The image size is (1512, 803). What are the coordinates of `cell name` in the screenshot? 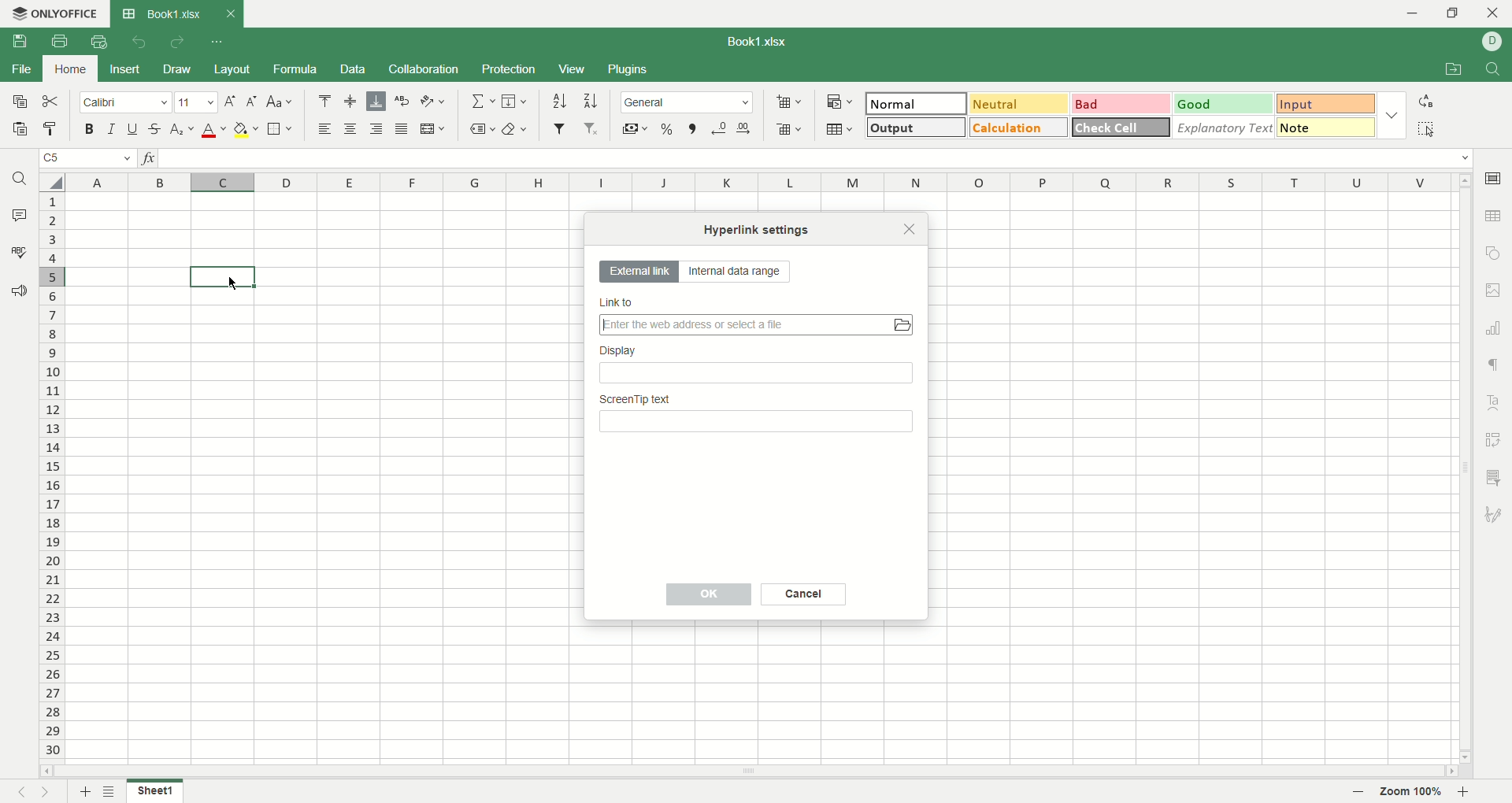 It's located at (86, 160).